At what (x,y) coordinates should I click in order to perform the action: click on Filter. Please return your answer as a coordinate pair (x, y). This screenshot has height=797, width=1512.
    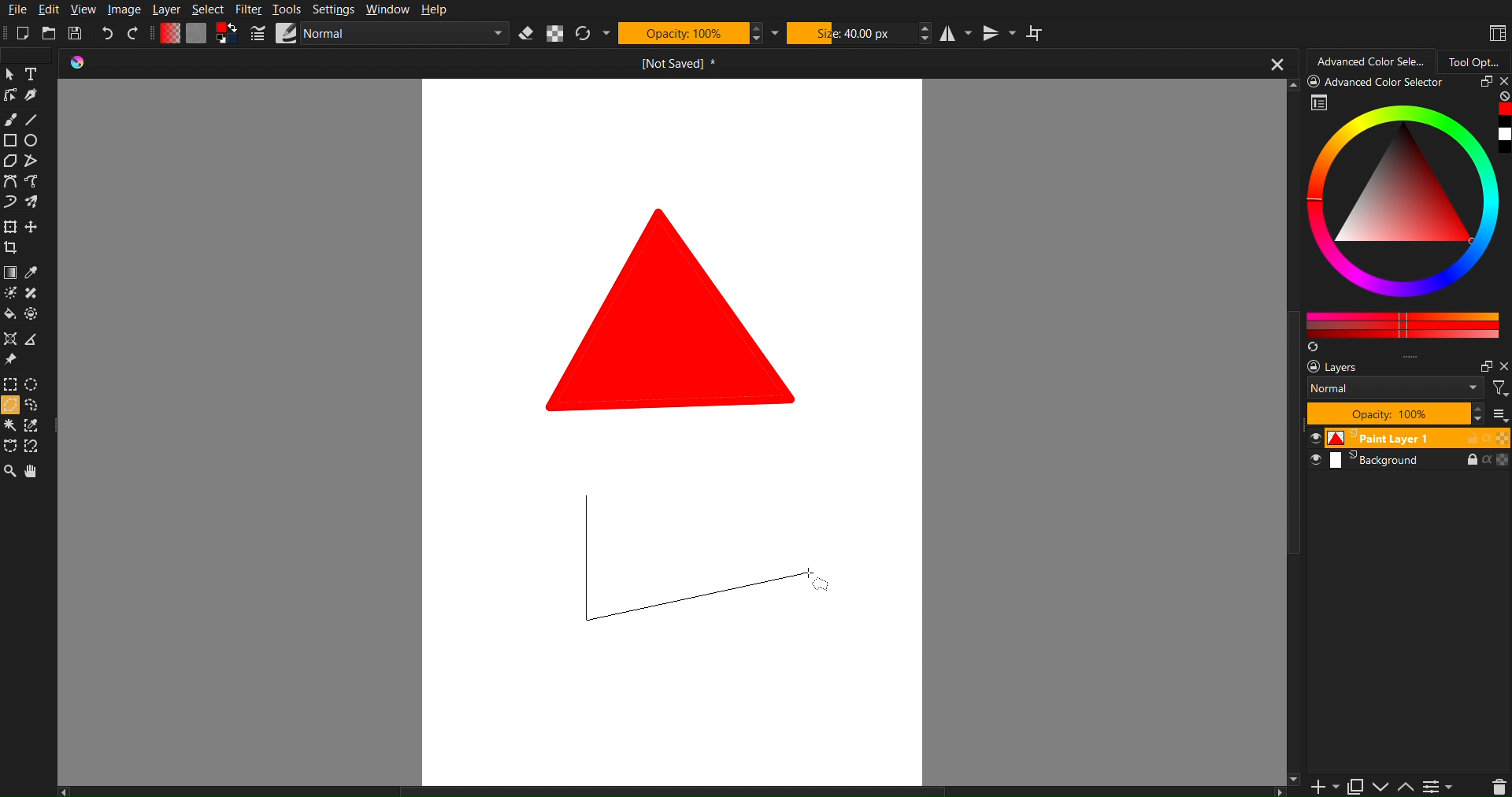
    Looking at the image, I should click on (246, 9).